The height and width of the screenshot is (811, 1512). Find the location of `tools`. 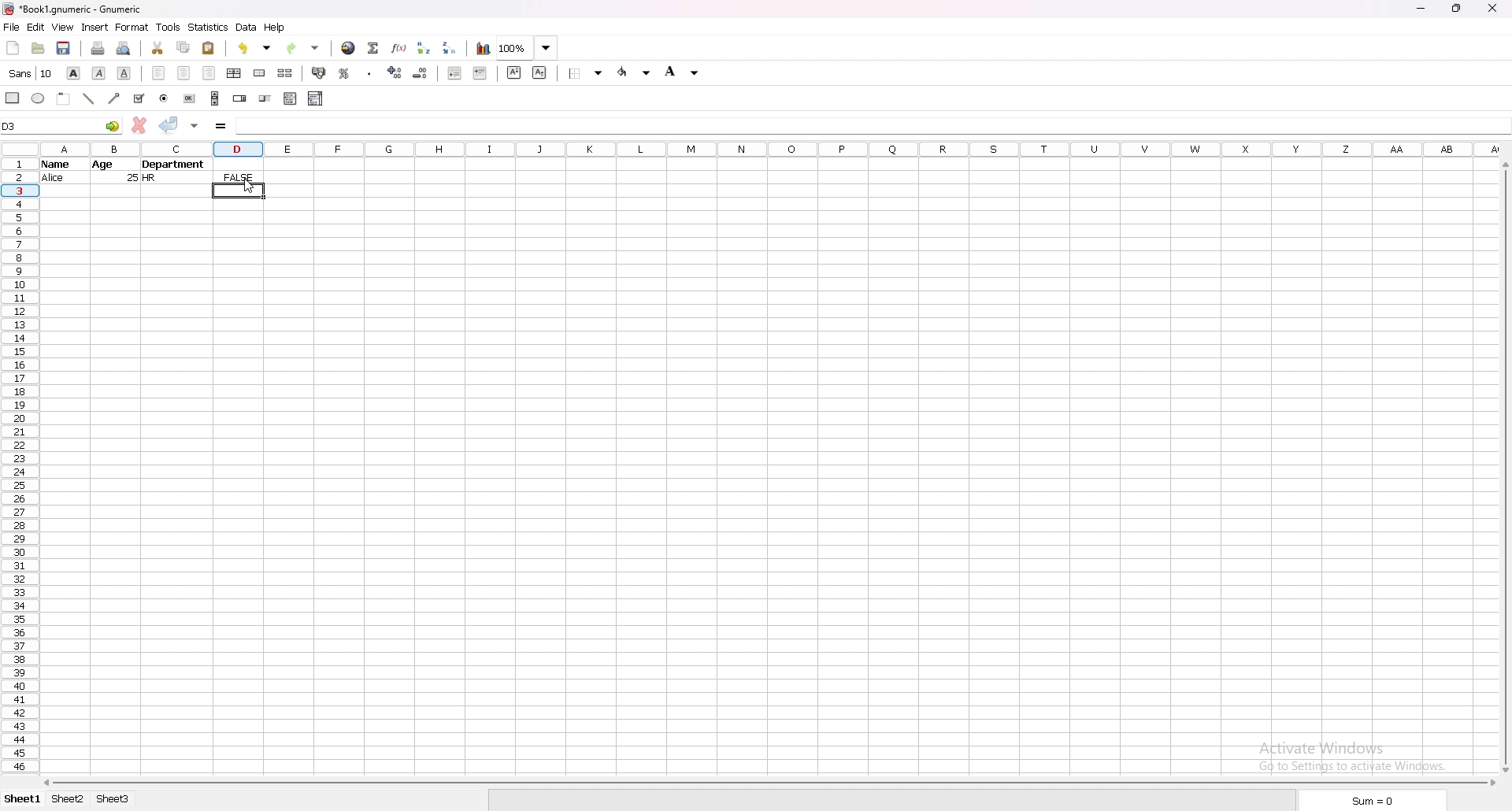

tools is located at coordinates (169, 27).